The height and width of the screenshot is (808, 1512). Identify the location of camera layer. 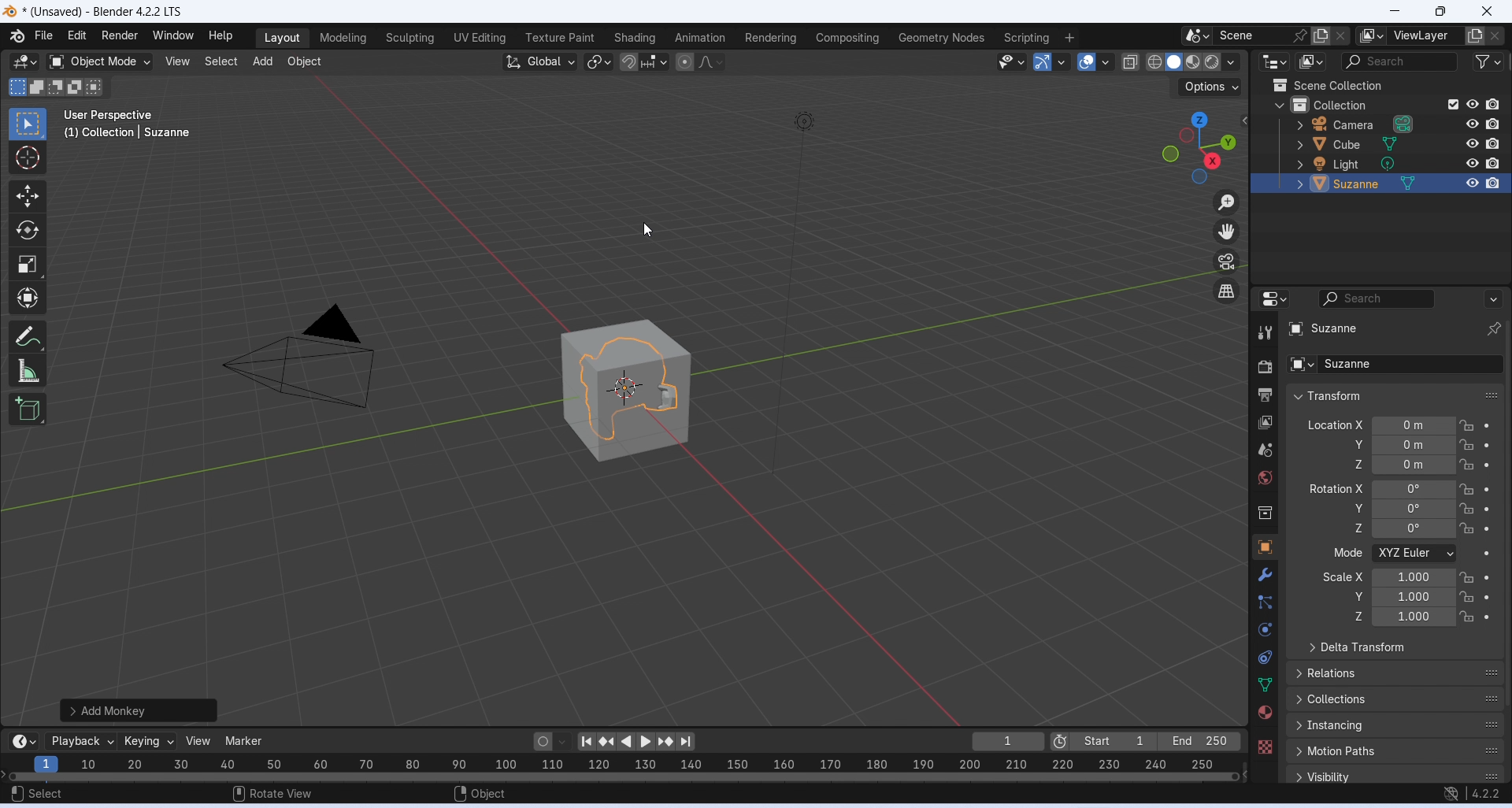
(1371, 124).